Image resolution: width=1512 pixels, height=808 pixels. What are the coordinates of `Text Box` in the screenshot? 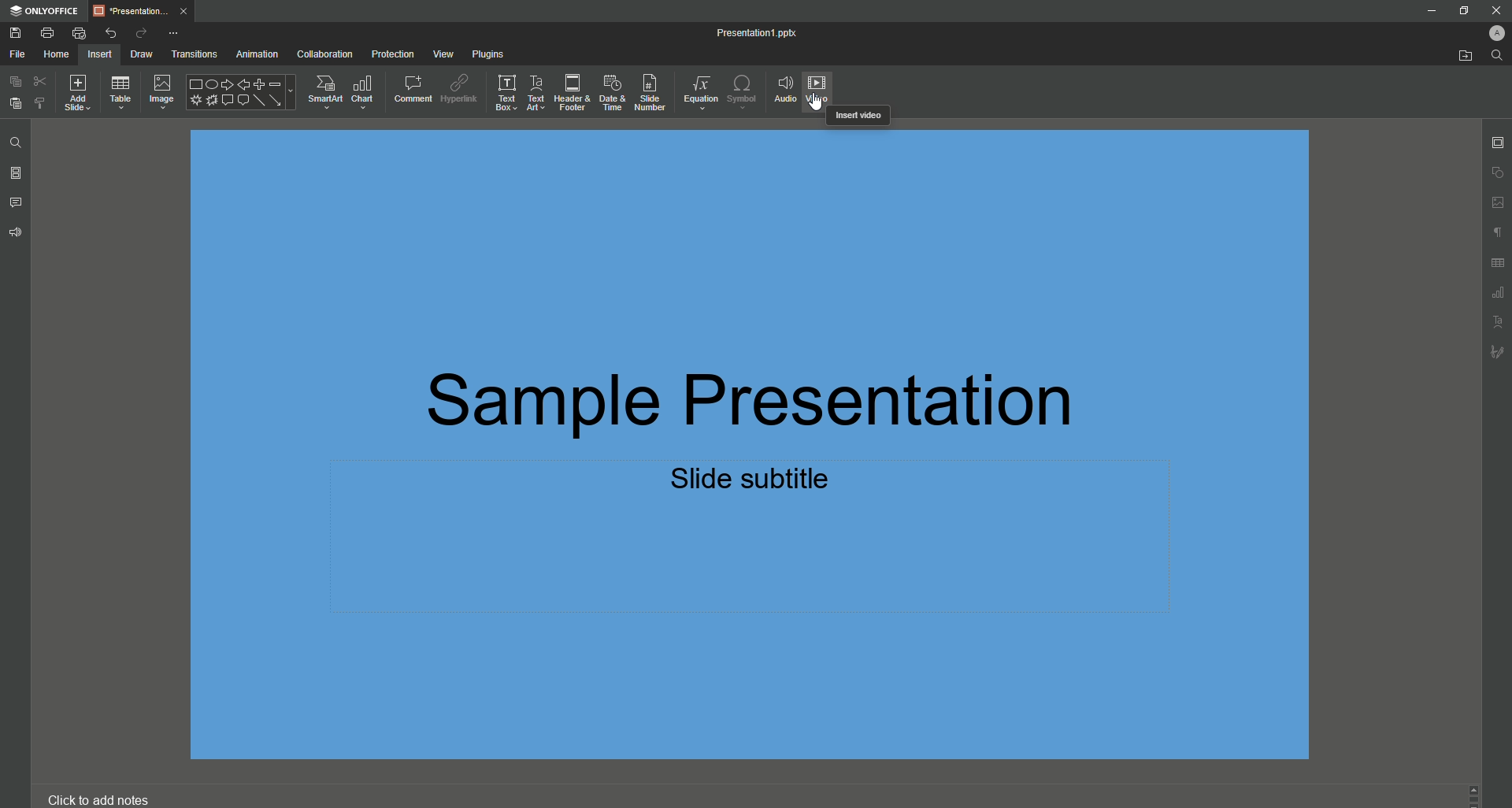 It's located at (502, 93).